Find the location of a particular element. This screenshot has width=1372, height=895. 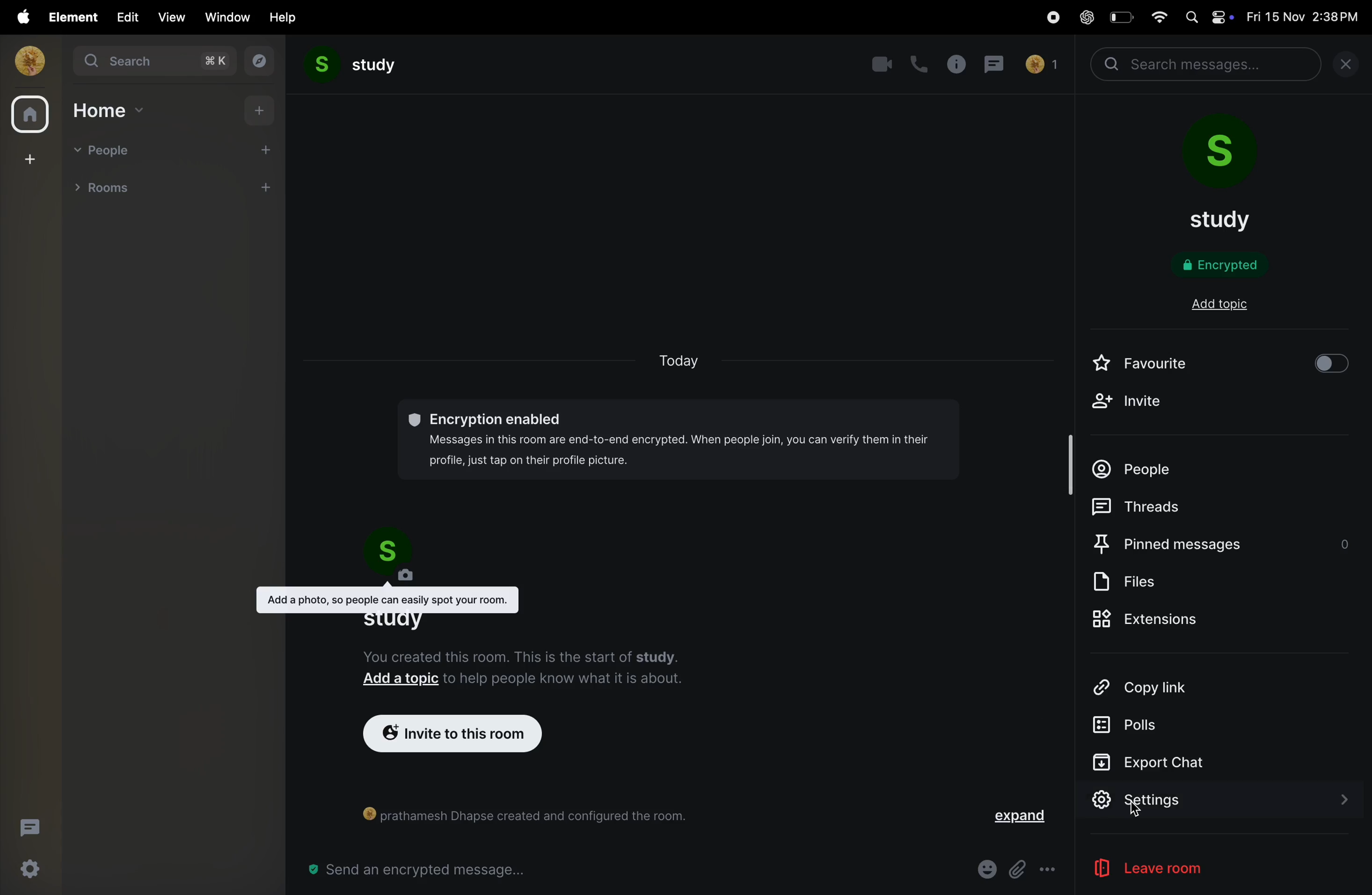

battery is located at coordinates (1120, 17).